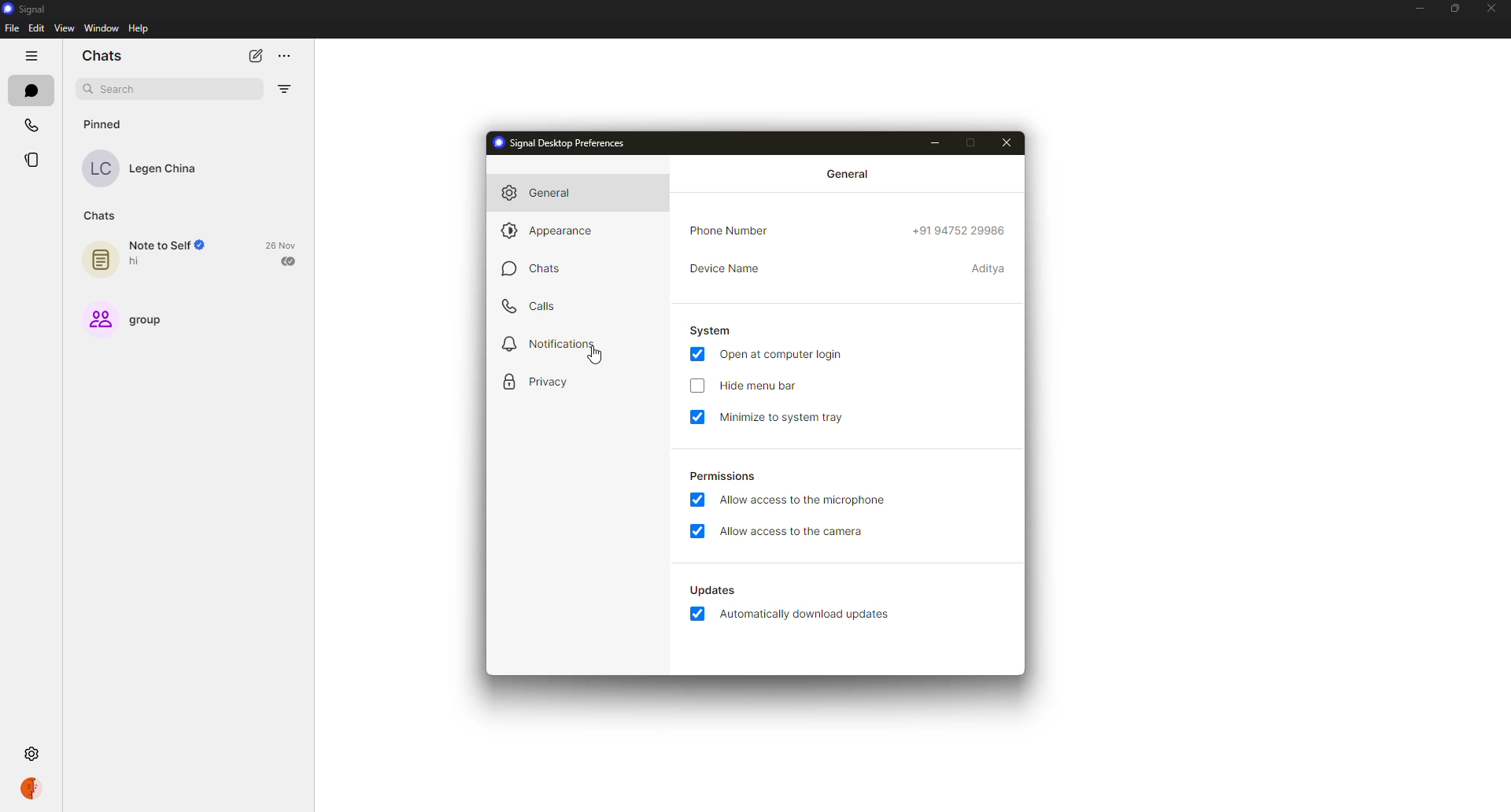 The height and width of the screenshot is (812, 1511). Describe the element at coordinates (100, 319) in the screenshot. I see `Group Icon` at that location.